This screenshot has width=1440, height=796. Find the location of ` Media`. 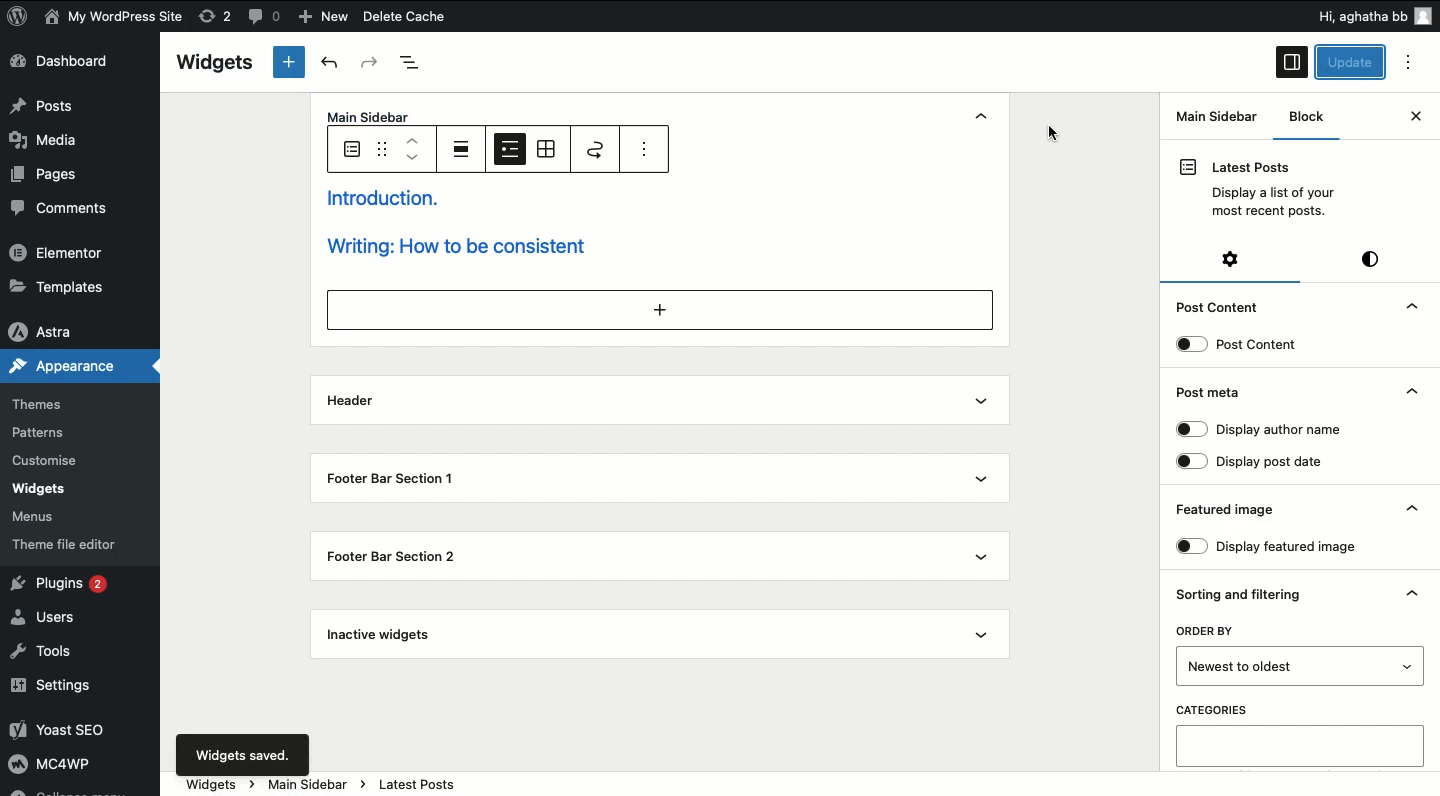

 Media is located at coordinates (55, 139).